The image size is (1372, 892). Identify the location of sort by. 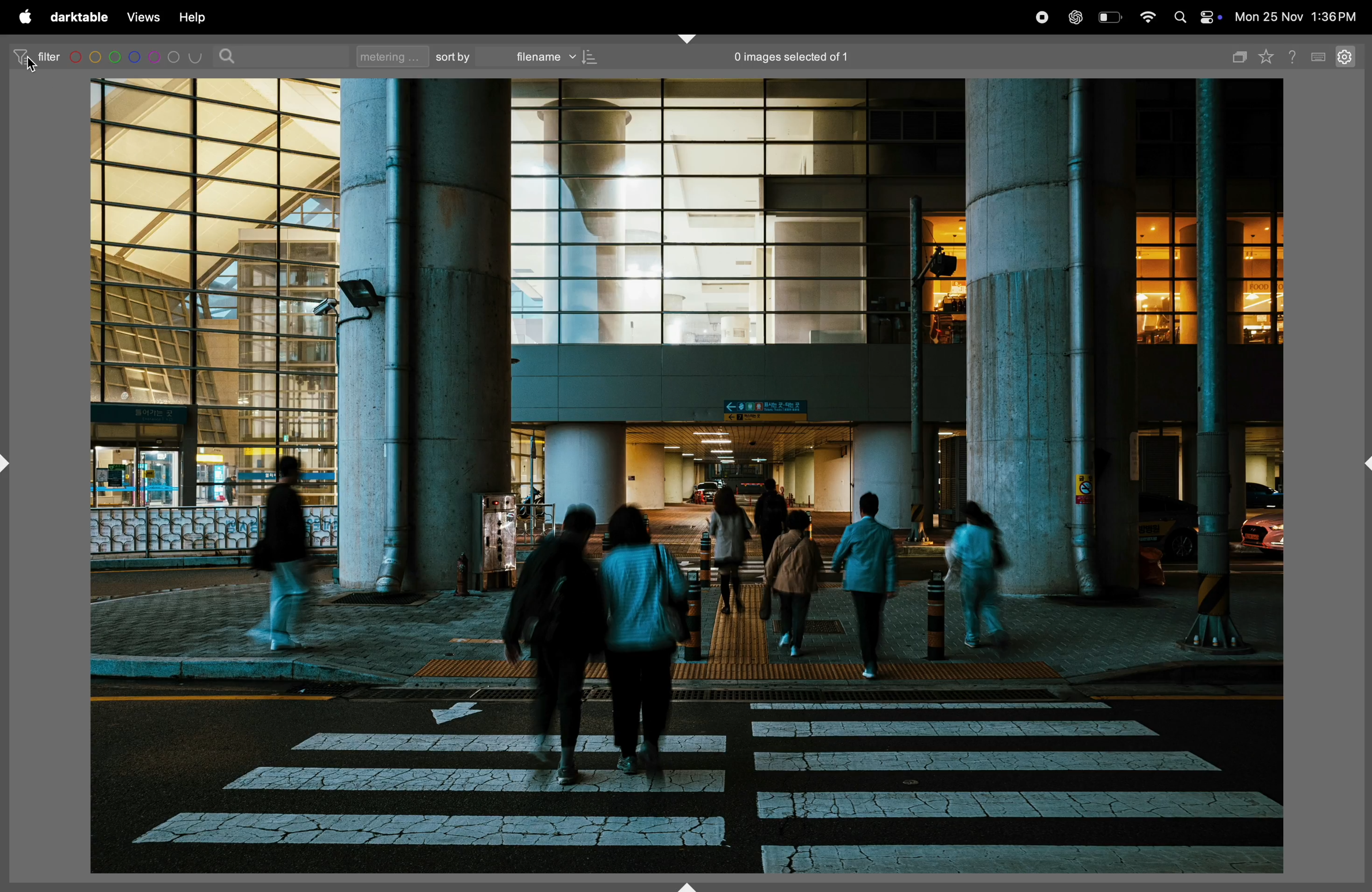
(454, 56).